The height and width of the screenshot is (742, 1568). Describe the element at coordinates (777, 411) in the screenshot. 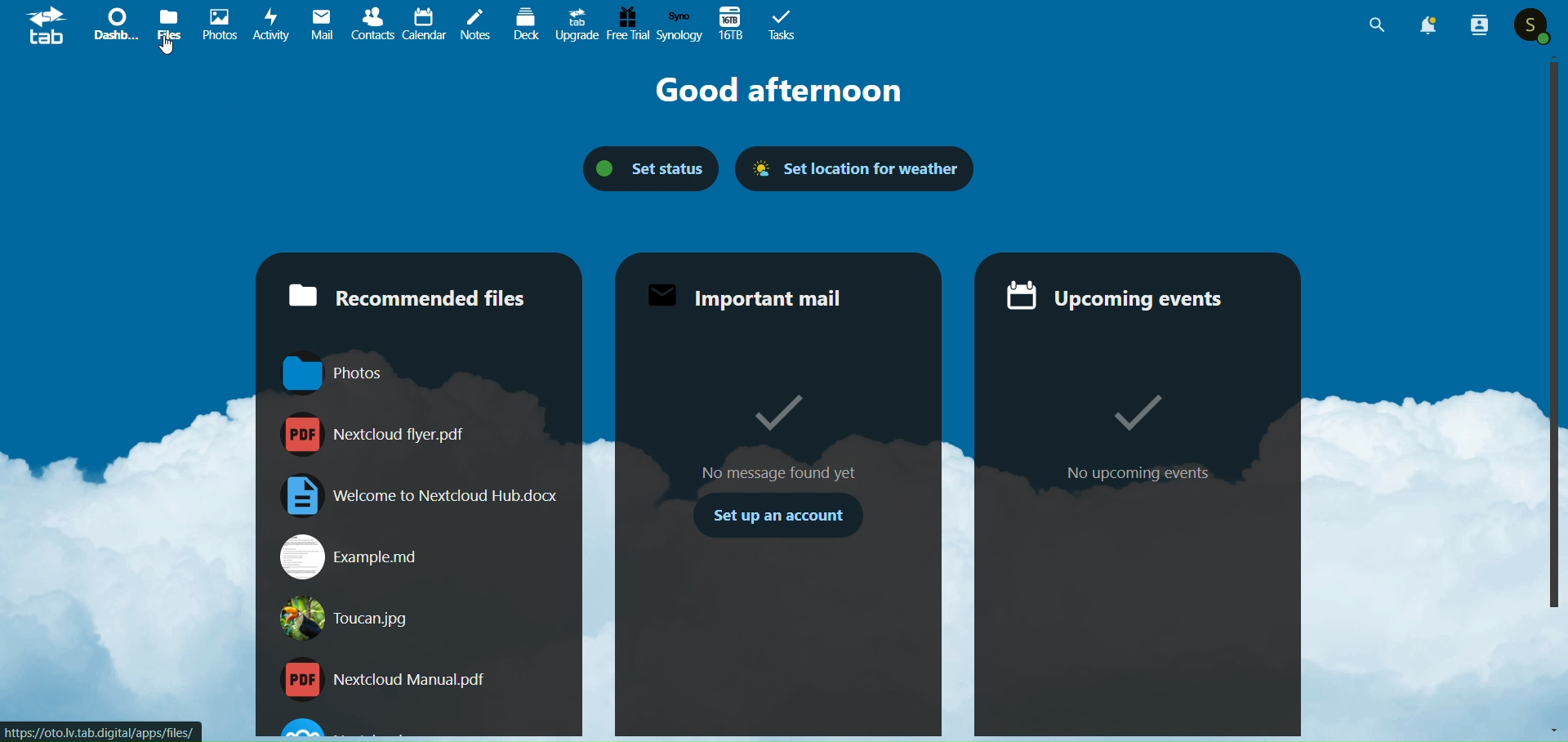

I see `Tick mark` at that location.